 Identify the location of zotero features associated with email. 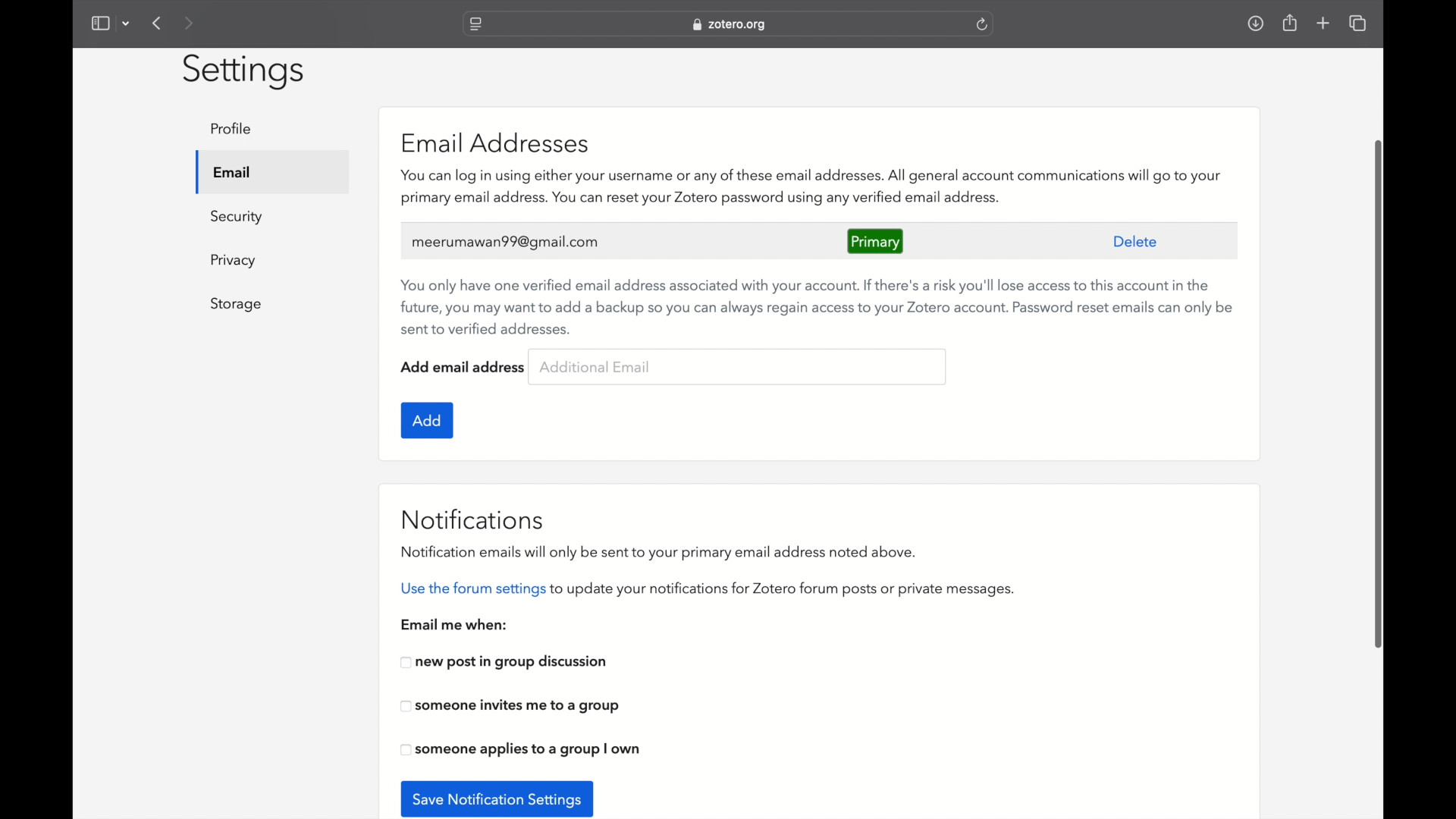
(811, 187).